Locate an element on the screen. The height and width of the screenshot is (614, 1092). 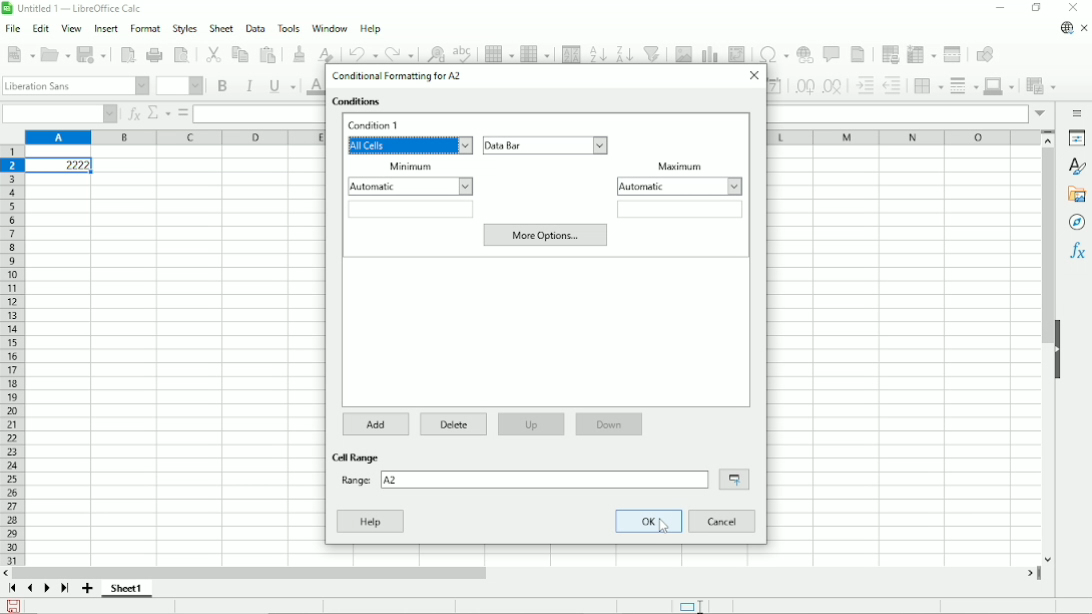
Condition 1 is located at coordinates (378, 126).